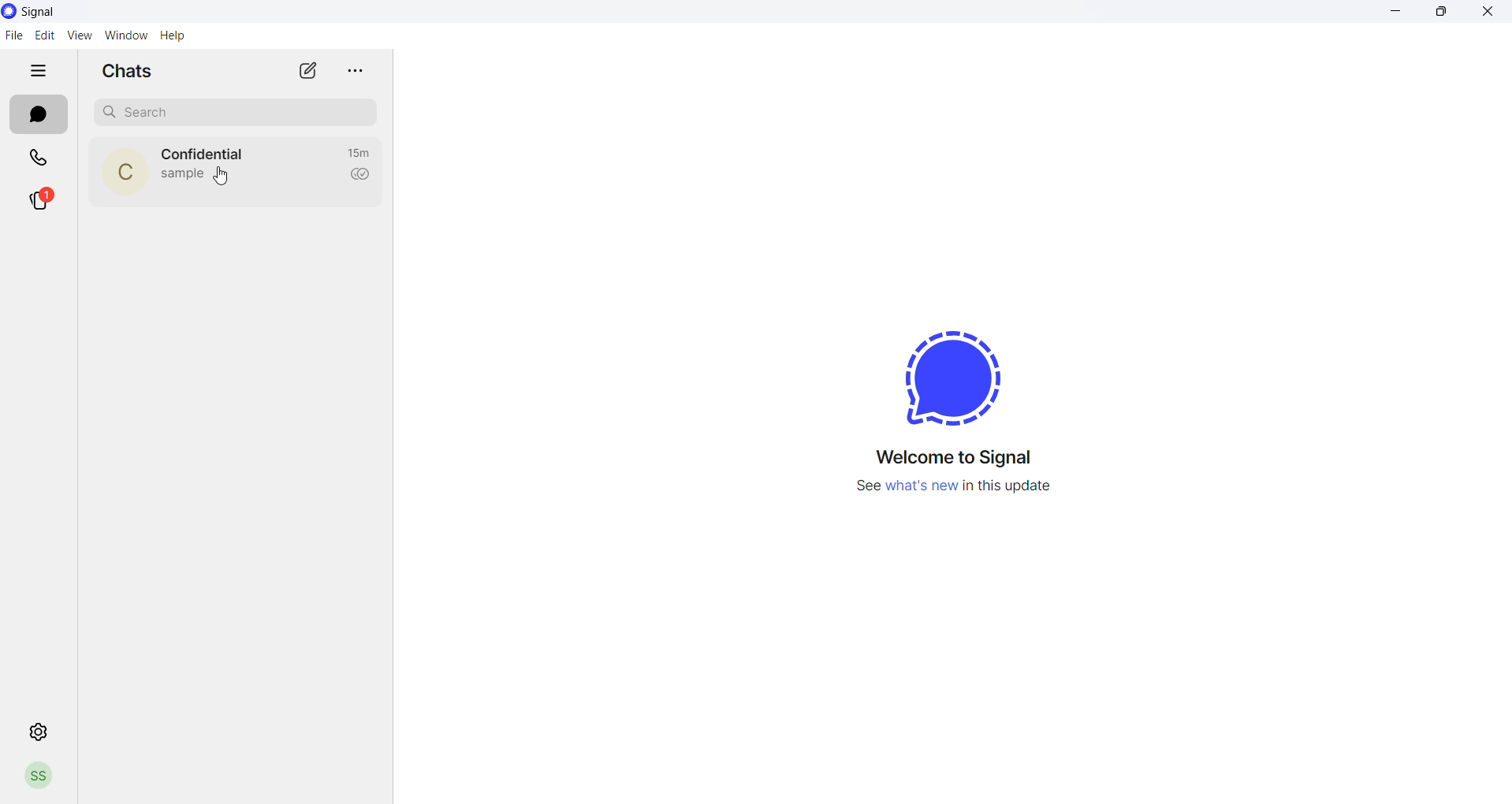 The height and width of the screenshot is (804, 1512). Describe the element at coordinates (122, 35) in the screenshot. I see `window` at that location.